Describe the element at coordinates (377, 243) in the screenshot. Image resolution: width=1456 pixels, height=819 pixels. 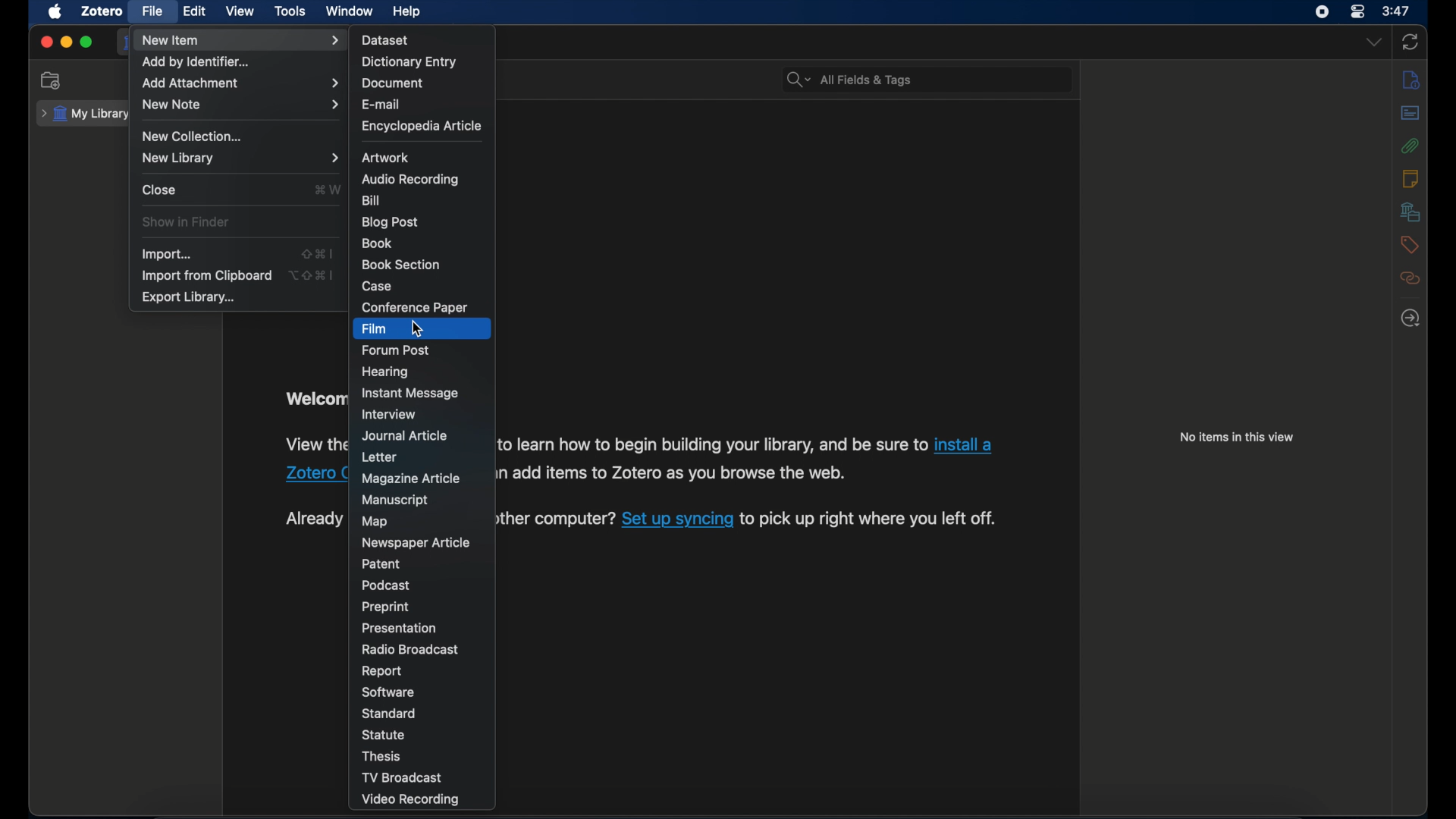
I see `book` at that location.